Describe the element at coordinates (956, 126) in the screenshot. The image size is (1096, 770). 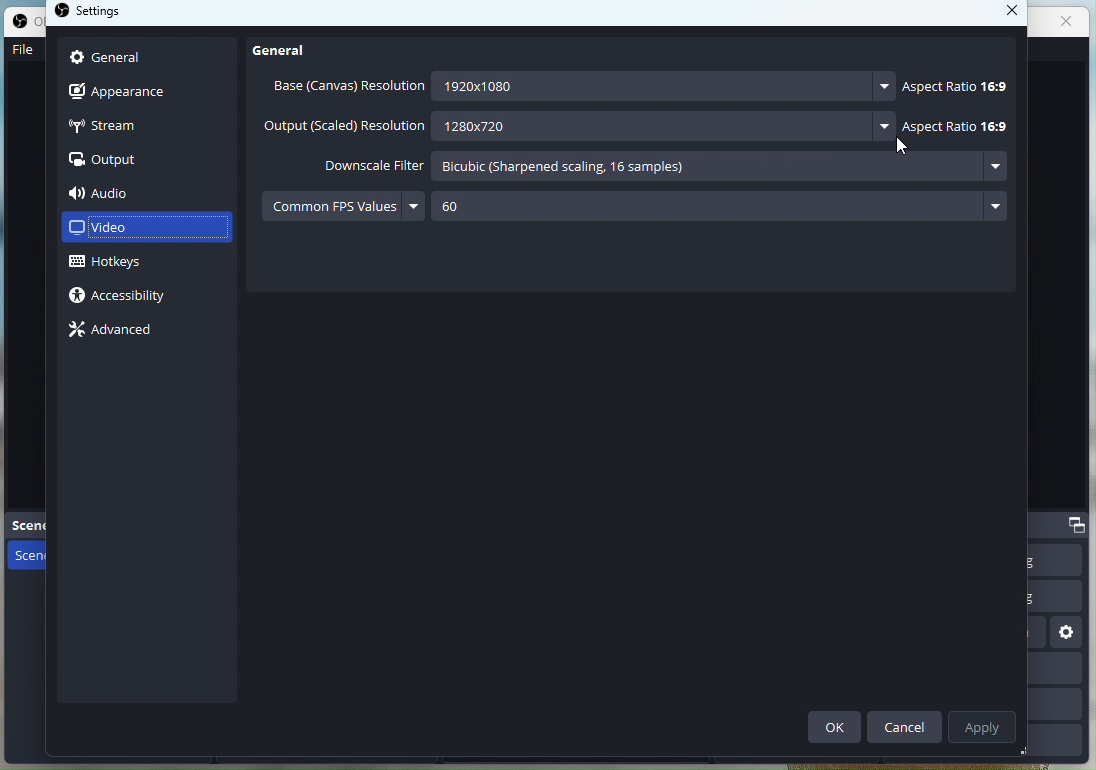
I see `Aspect ratio 16:9` at that location.